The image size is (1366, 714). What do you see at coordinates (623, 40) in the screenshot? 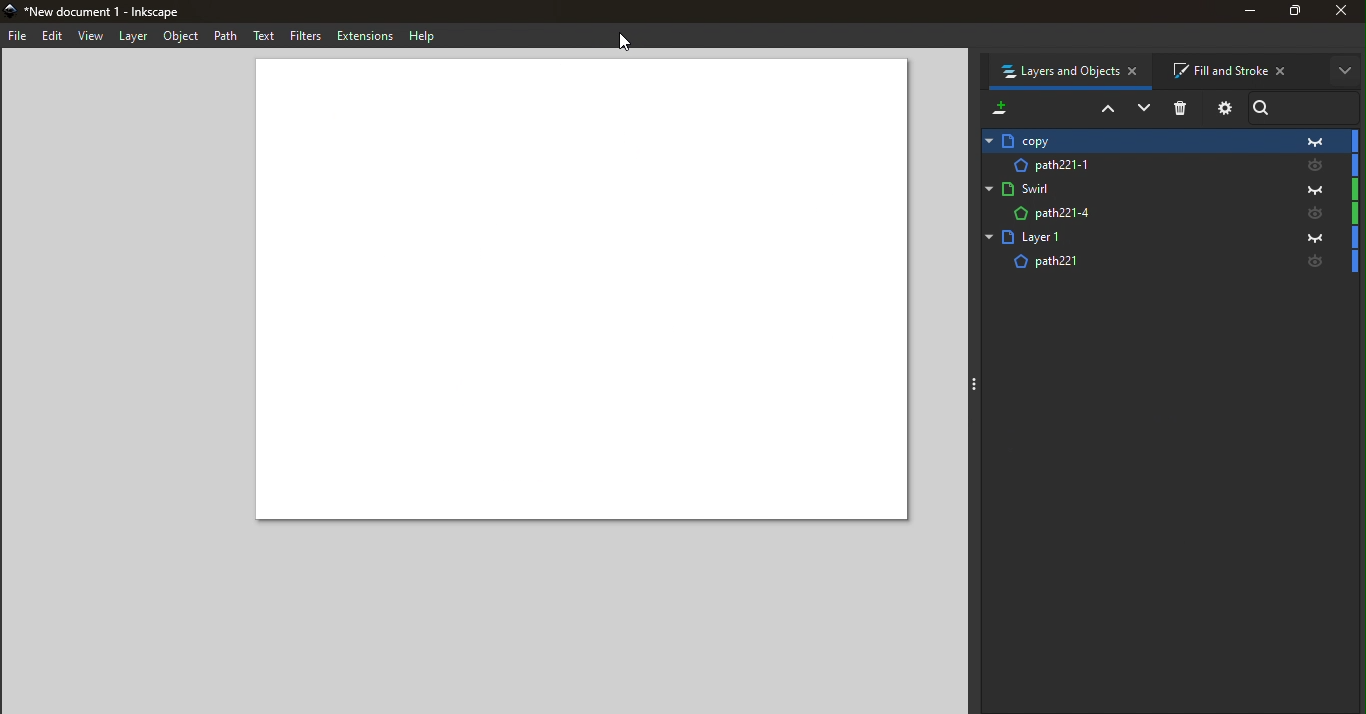
I see `cursor` at bounding box center [623, 40].